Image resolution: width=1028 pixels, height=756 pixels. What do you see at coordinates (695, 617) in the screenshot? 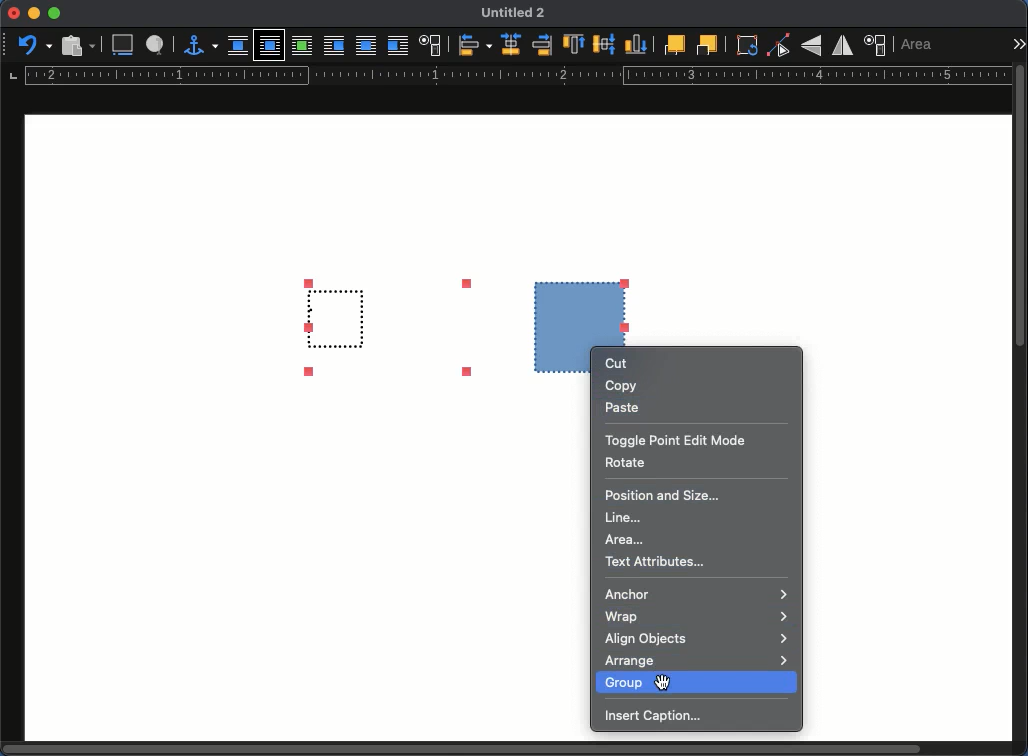
I see `wrap` at bounding box center [695, 617].